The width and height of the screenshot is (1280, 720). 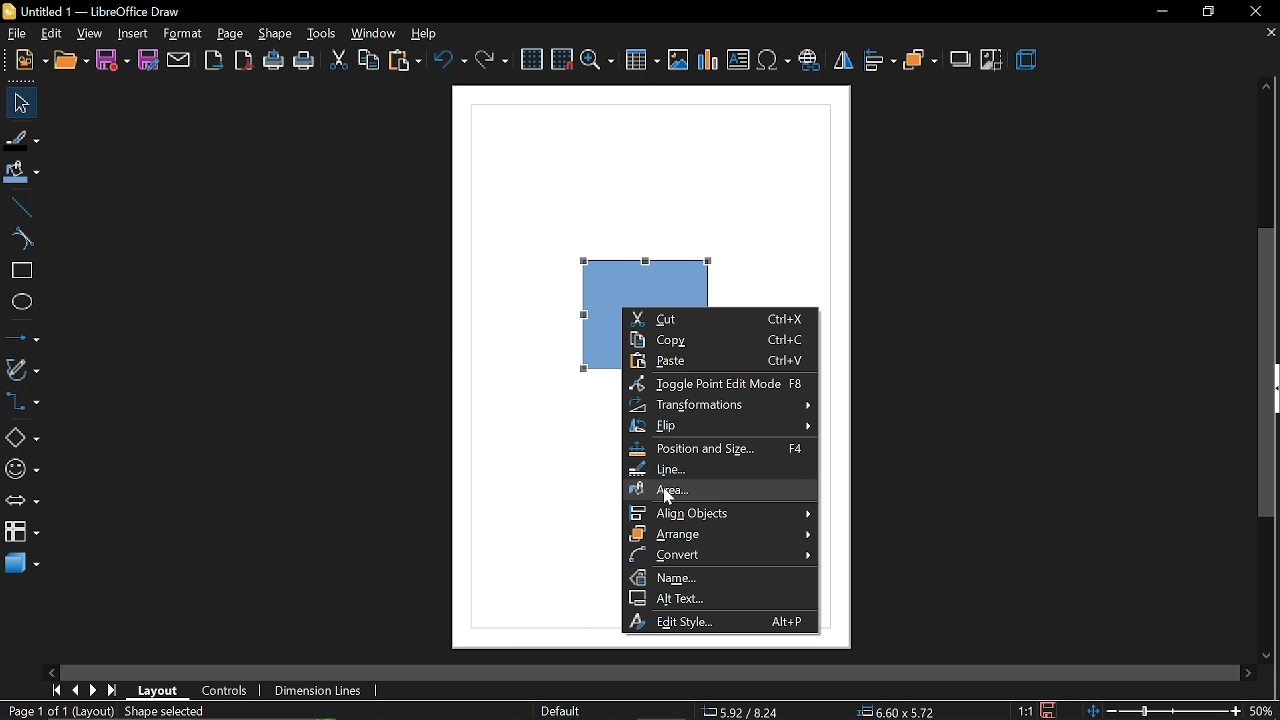 What do you see at coordinates (318, 690) in the screenshot?
I see `dimension lines` at bounding box center [318, 690].